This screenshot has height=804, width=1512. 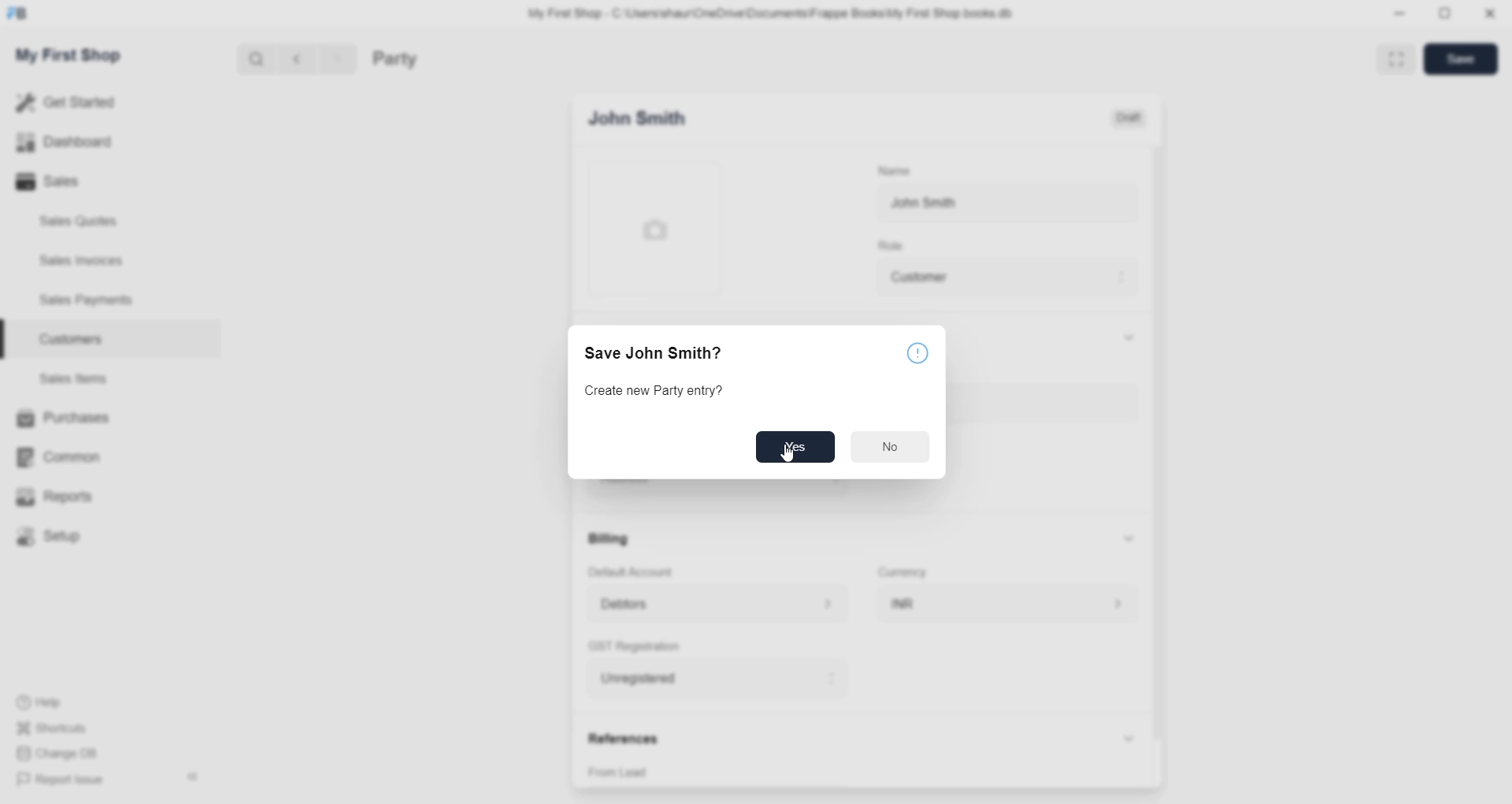 I want to click on Reports, so click(x=54, y=497).